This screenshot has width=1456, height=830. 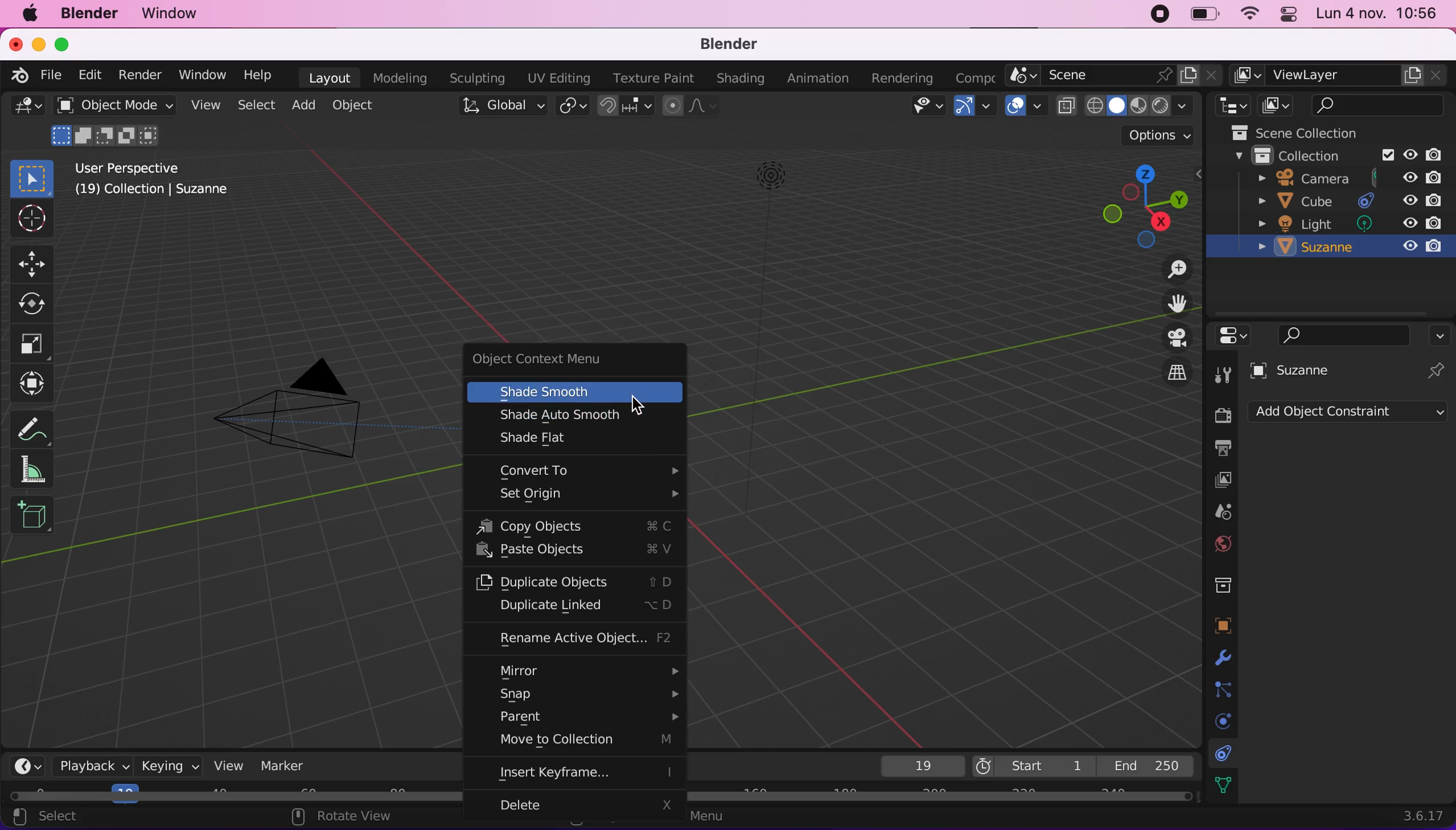 I want to click on constraints, so click(x=1224, y=751).